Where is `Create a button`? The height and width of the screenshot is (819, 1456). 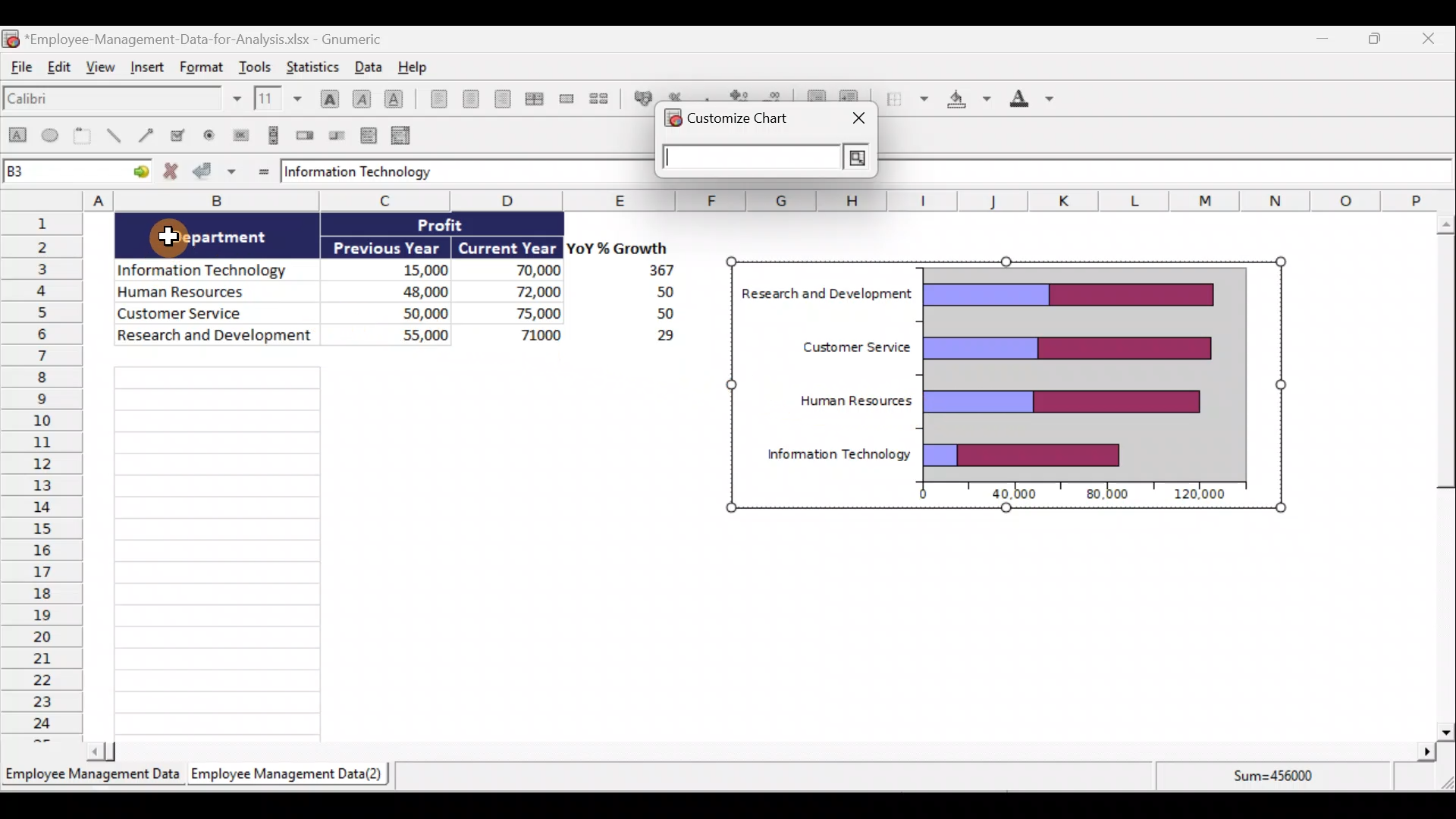
Create a button is located at coordinates (240, 133).